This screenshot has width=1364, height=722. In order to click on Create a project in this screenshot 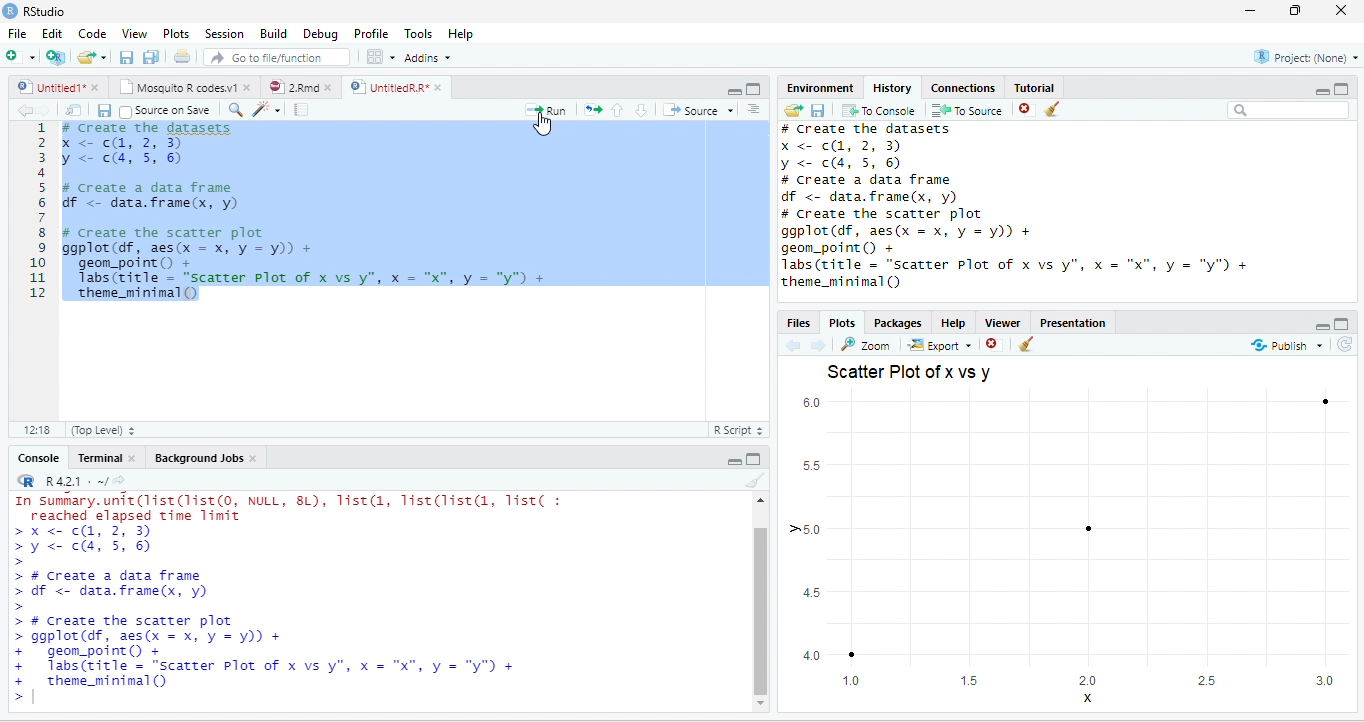, I will do `click(57, 55)`.